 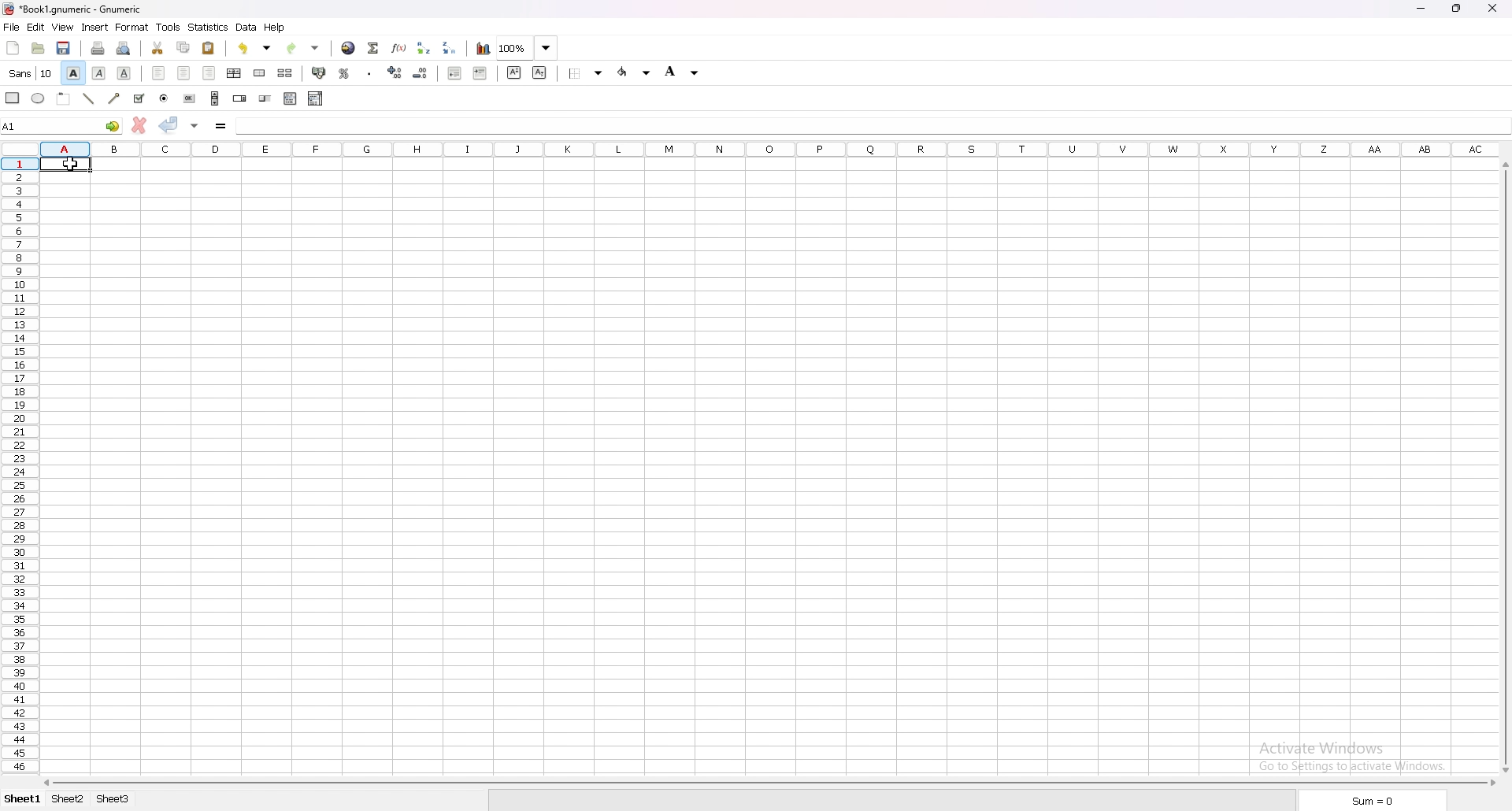 I want to click on new, so click(x=13, y=48).